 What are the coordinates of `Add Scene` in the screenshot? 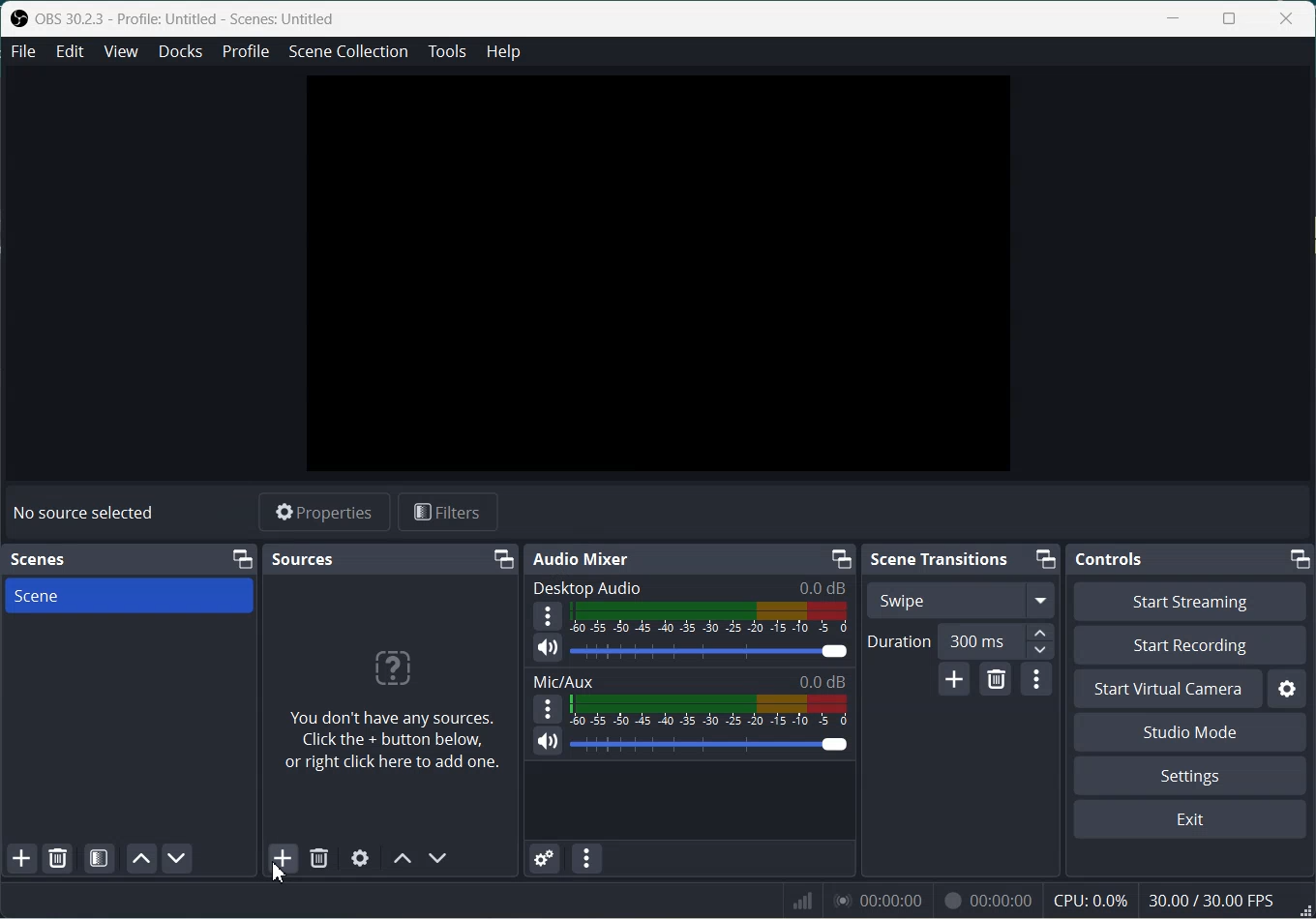 It's located at (21, 858).